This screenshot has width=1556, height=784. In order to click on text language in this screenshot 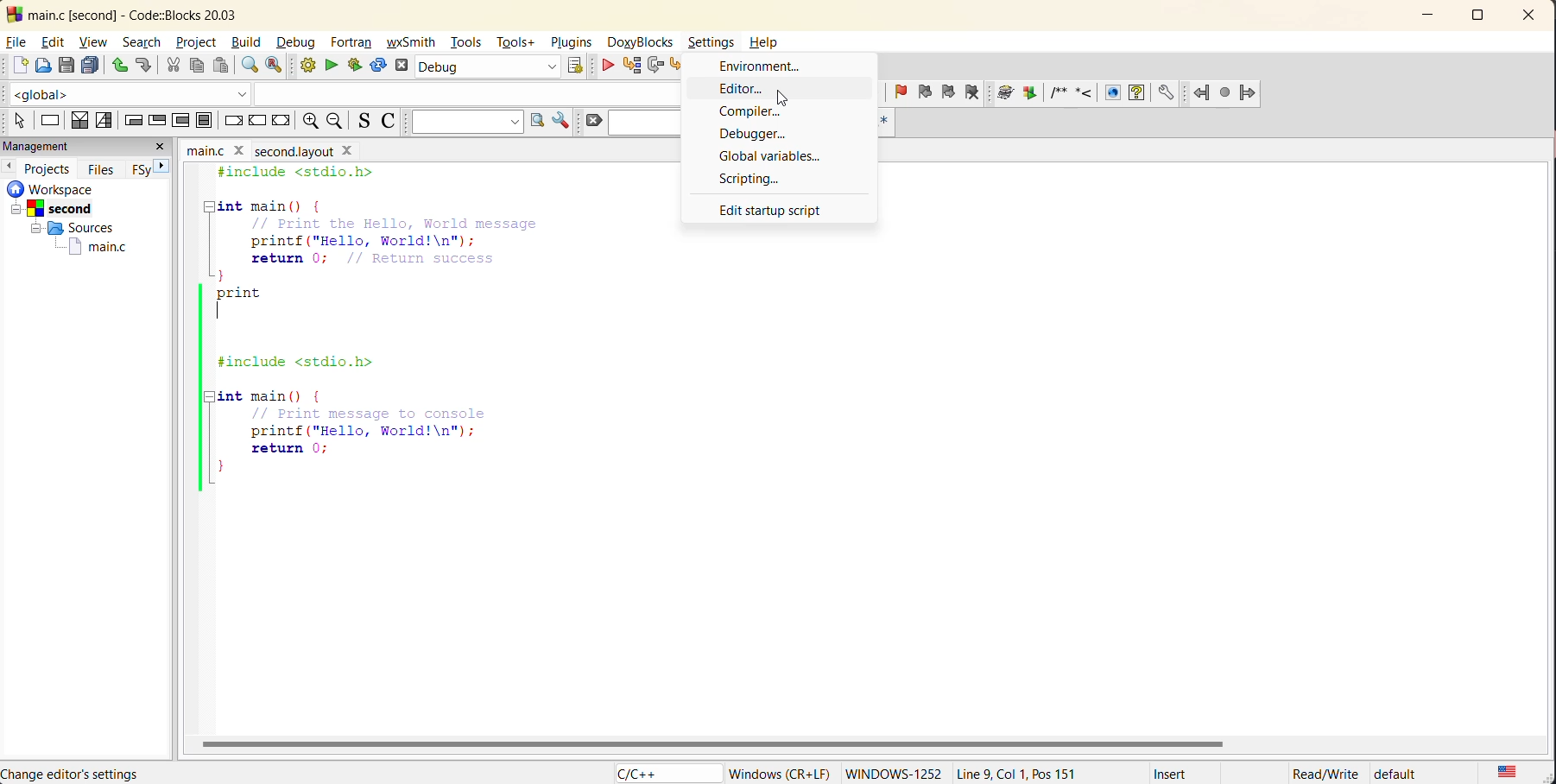, I will do `click(1506, 771)`.